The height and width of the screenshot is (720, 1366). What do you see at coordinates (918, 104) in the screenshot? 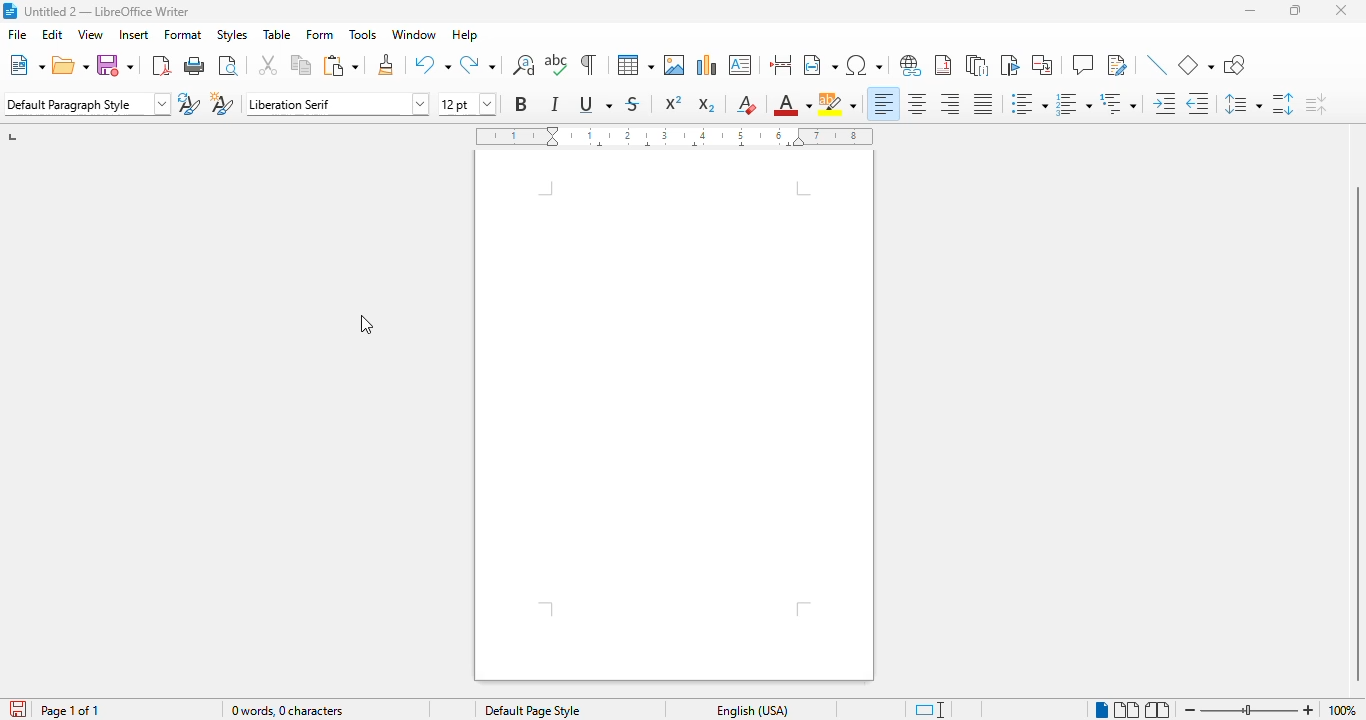
I see `align center` at bounding box center [918, 104].